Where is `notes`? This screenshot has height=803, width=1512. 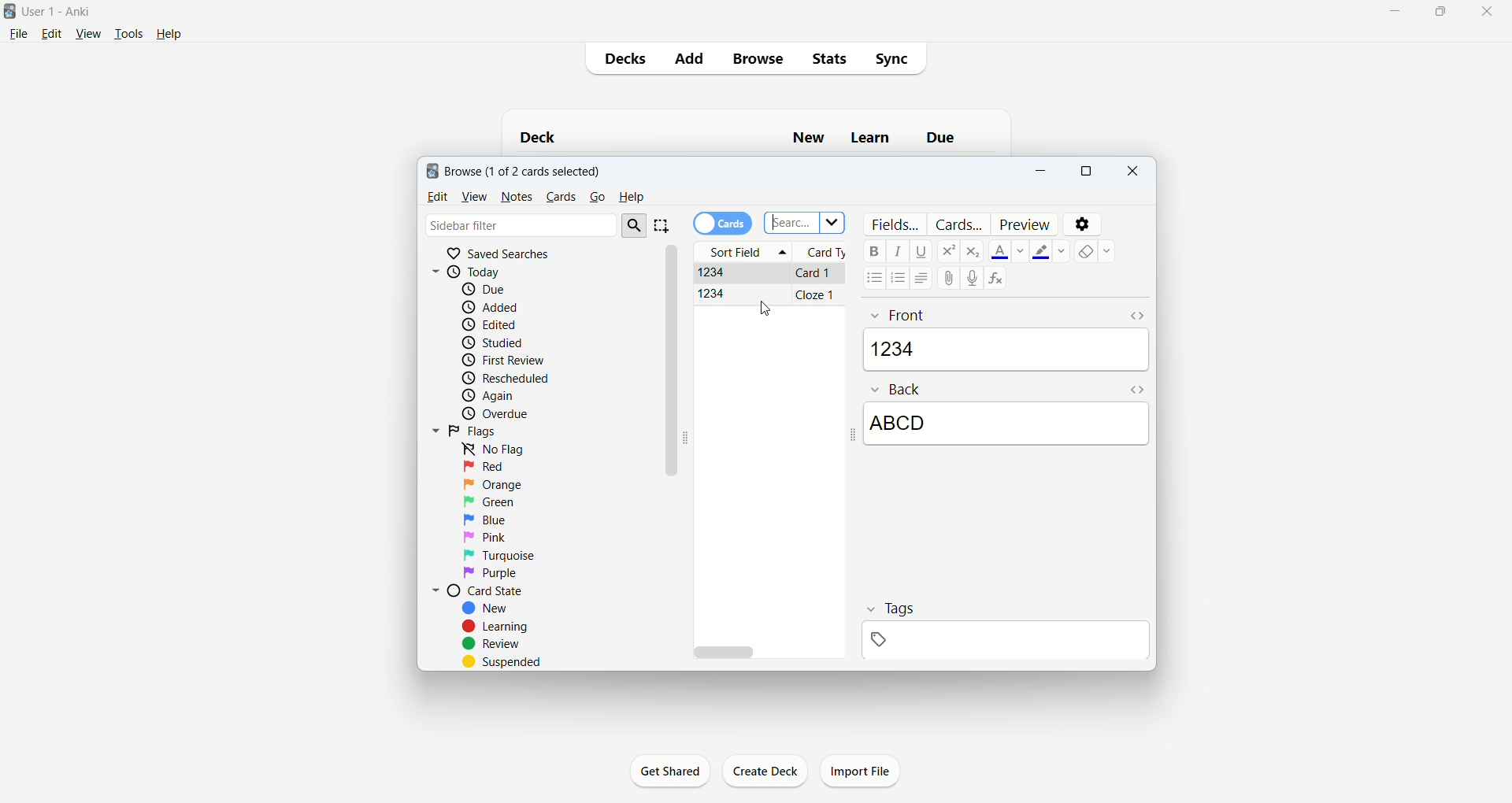 notes is located at coordinates (519, 196).